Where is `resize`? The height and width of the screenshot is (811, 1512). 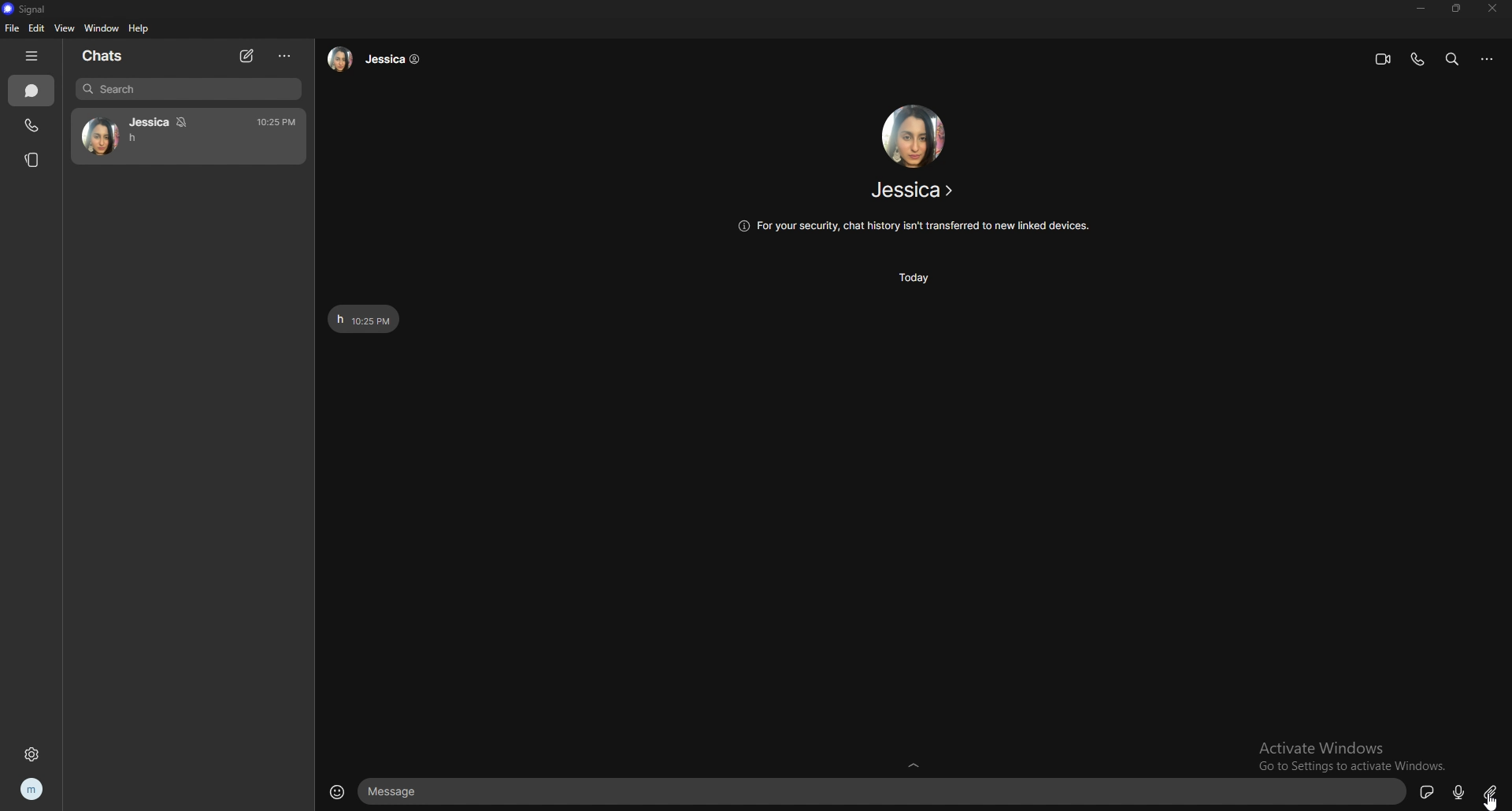 resize is located at coordinates (1457, 9).